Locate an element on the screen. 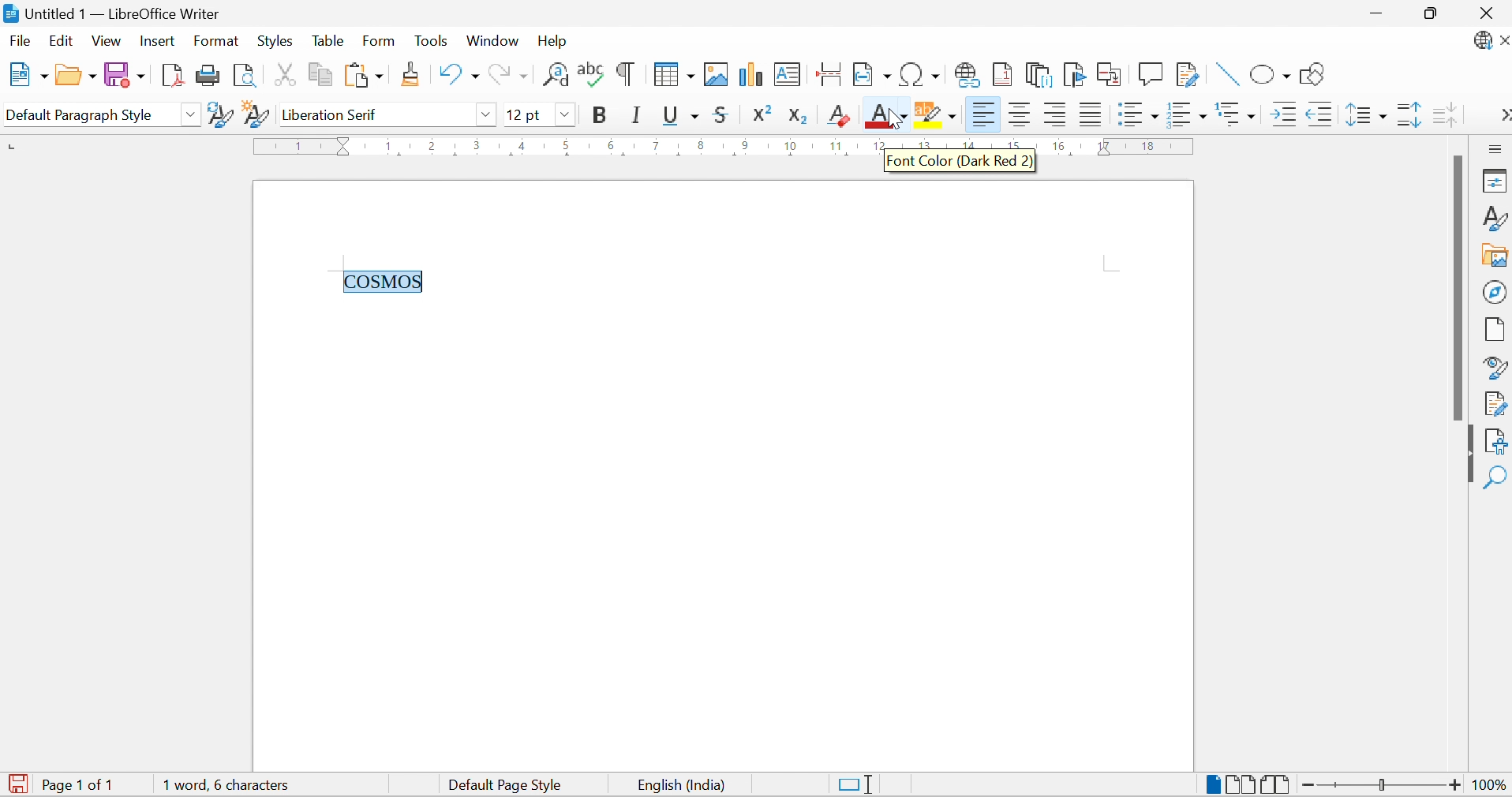 This screenshot has width=1512, height=797. Font Color is located at coordinates (887, 114).